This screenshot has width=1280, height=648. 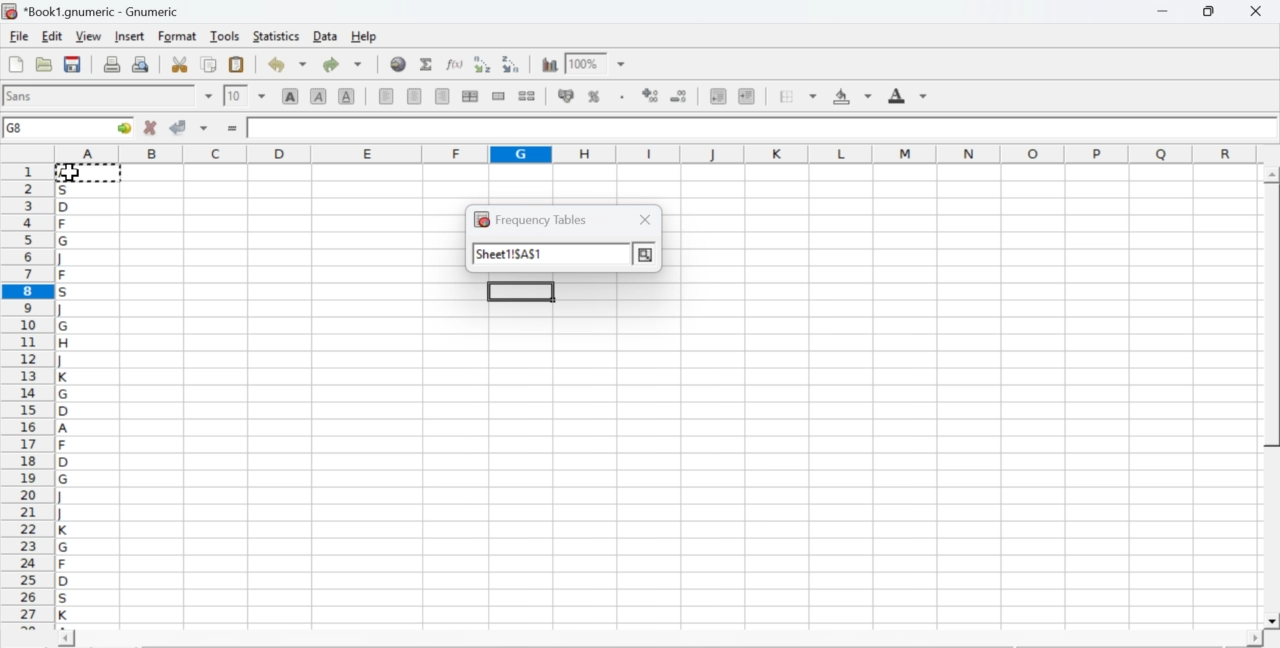 What do you see at coordinates (456, 63) in the screenshot?
I see `edit function in current cell` at bounding box center [456, 63].